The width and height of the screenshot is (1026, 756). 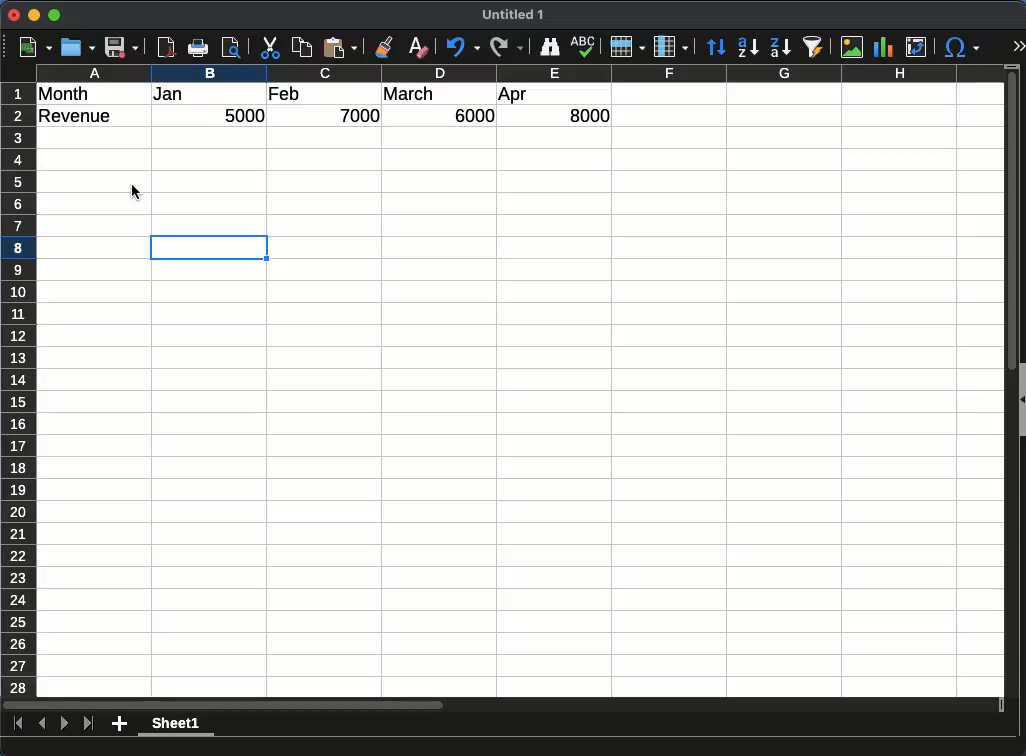 What do you see at coordinates (715, 48) in the screenshot?
I see `sort` at bounding box center [715, 48].